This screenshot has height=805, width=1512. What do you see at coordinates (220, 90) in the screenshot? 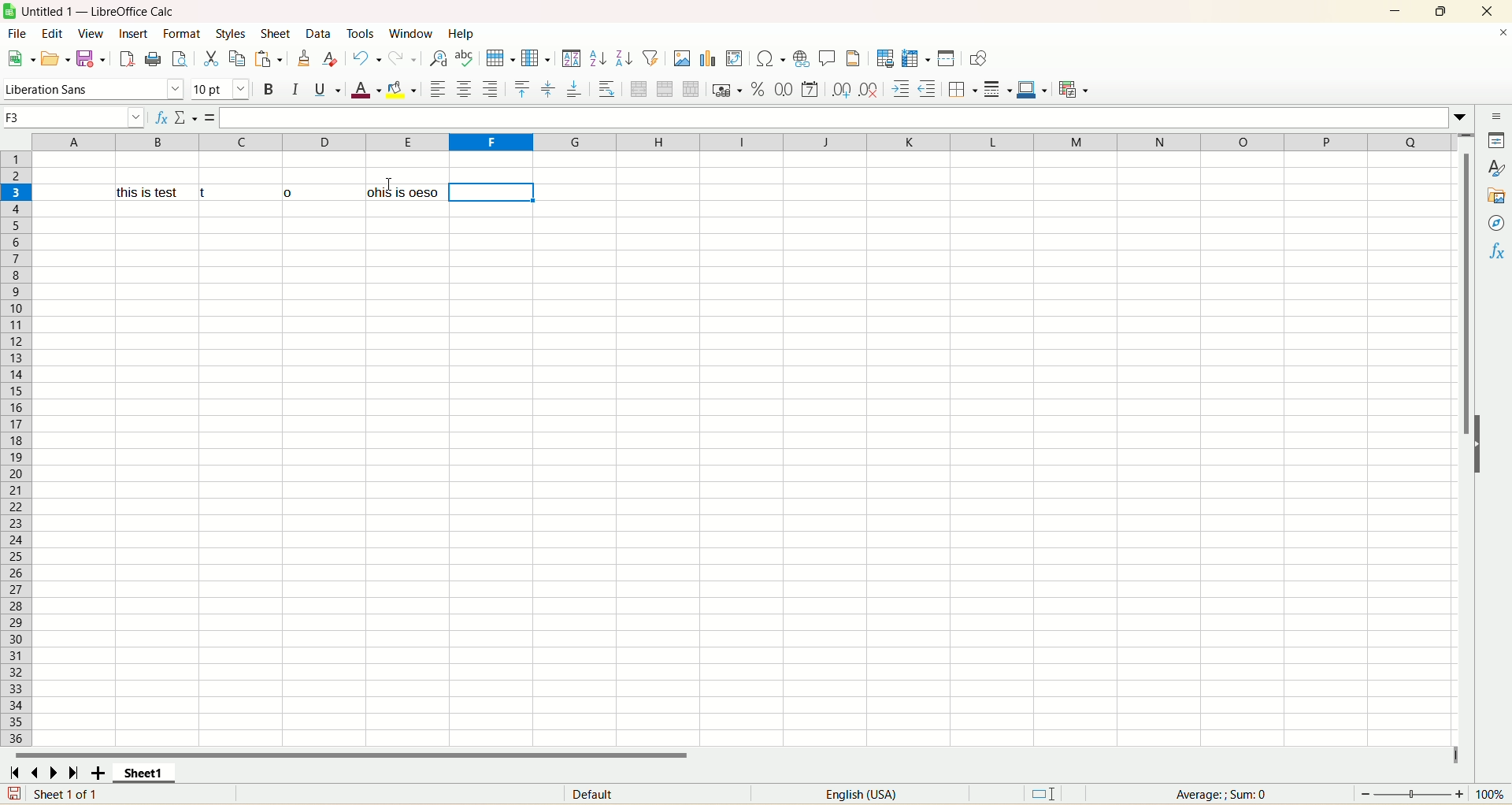
I see `font size` at bounding box center [220, 90].